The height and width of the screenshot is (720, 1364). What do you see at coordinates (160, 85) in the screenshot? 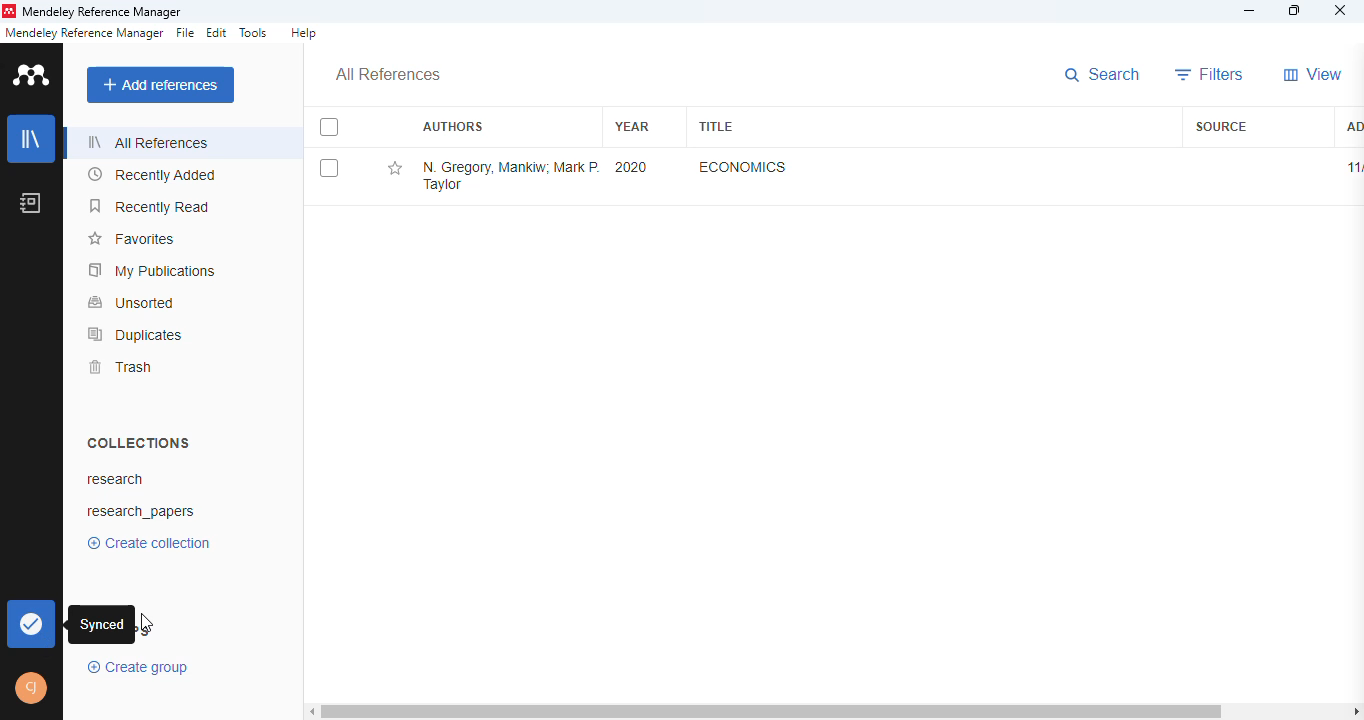
I see `add references` at bounding box center [160, 85].